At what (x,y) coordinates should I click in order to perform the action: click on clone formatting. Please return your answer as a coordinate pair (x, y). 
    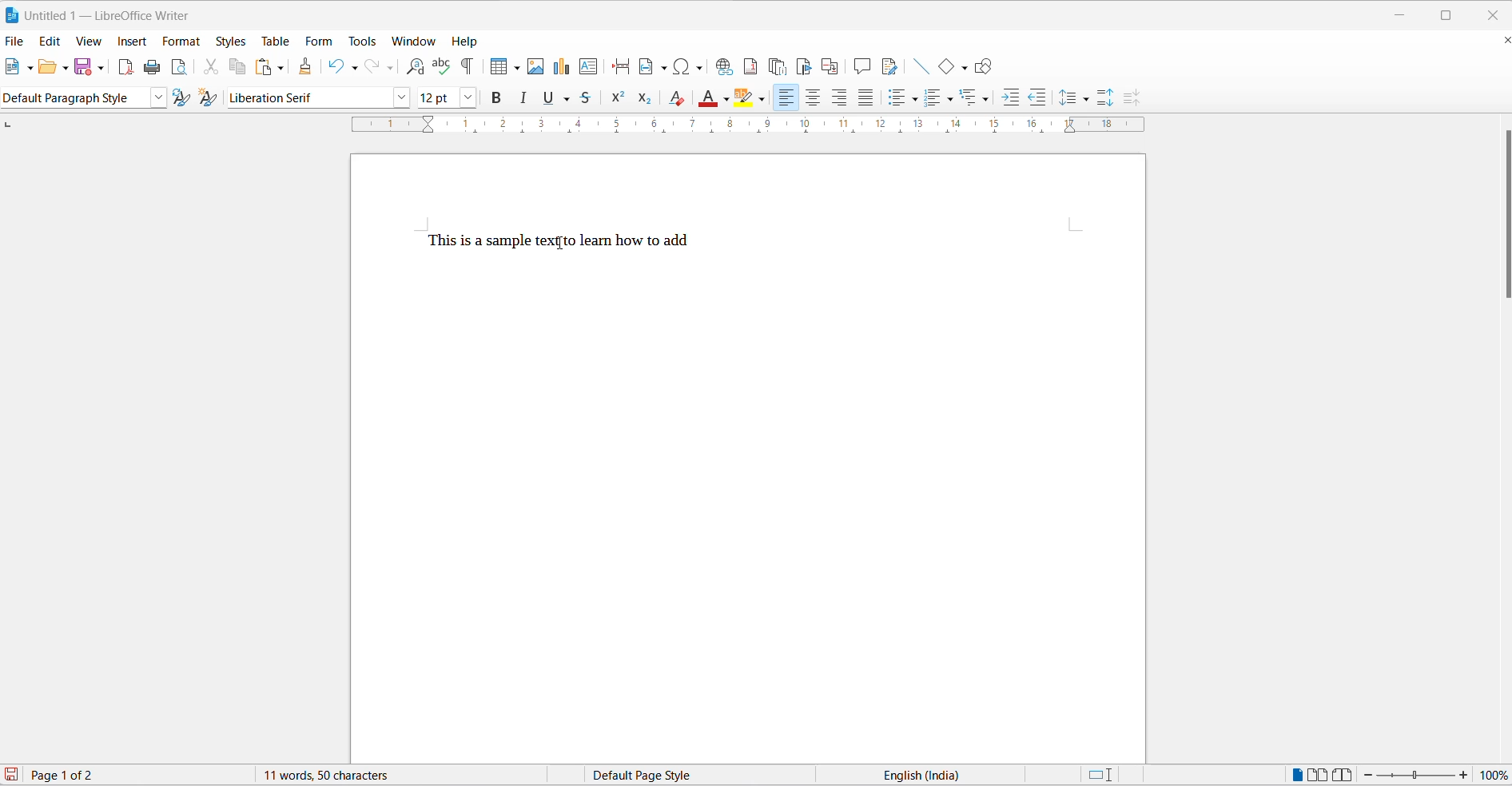
    Looking at the image, I should click on (307, 63).